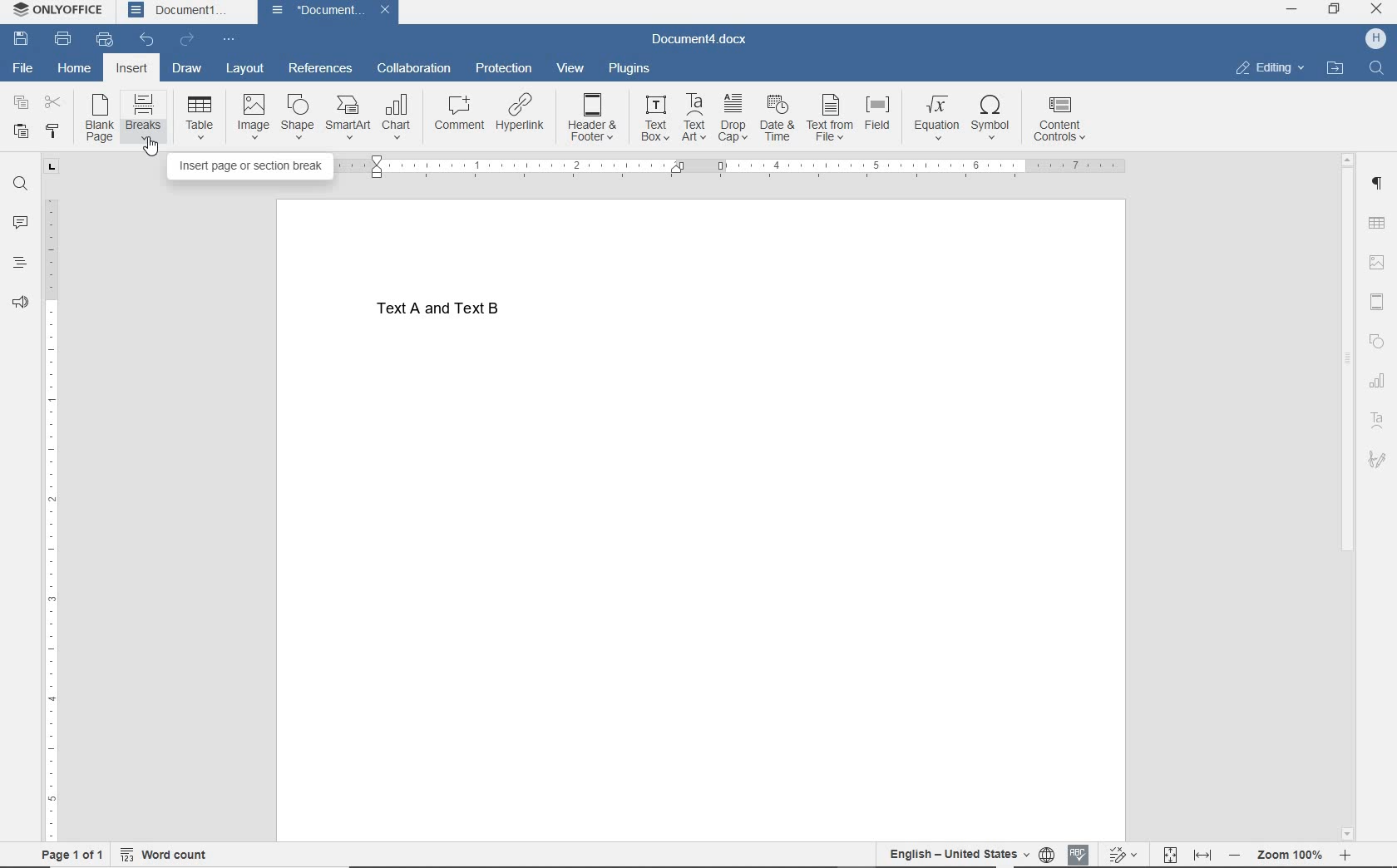 The height and width of the screenshot is (868, 1397). Describe the element at coordinates (416, 67) in the screenshot. I see `COLLABORATION` at that location.